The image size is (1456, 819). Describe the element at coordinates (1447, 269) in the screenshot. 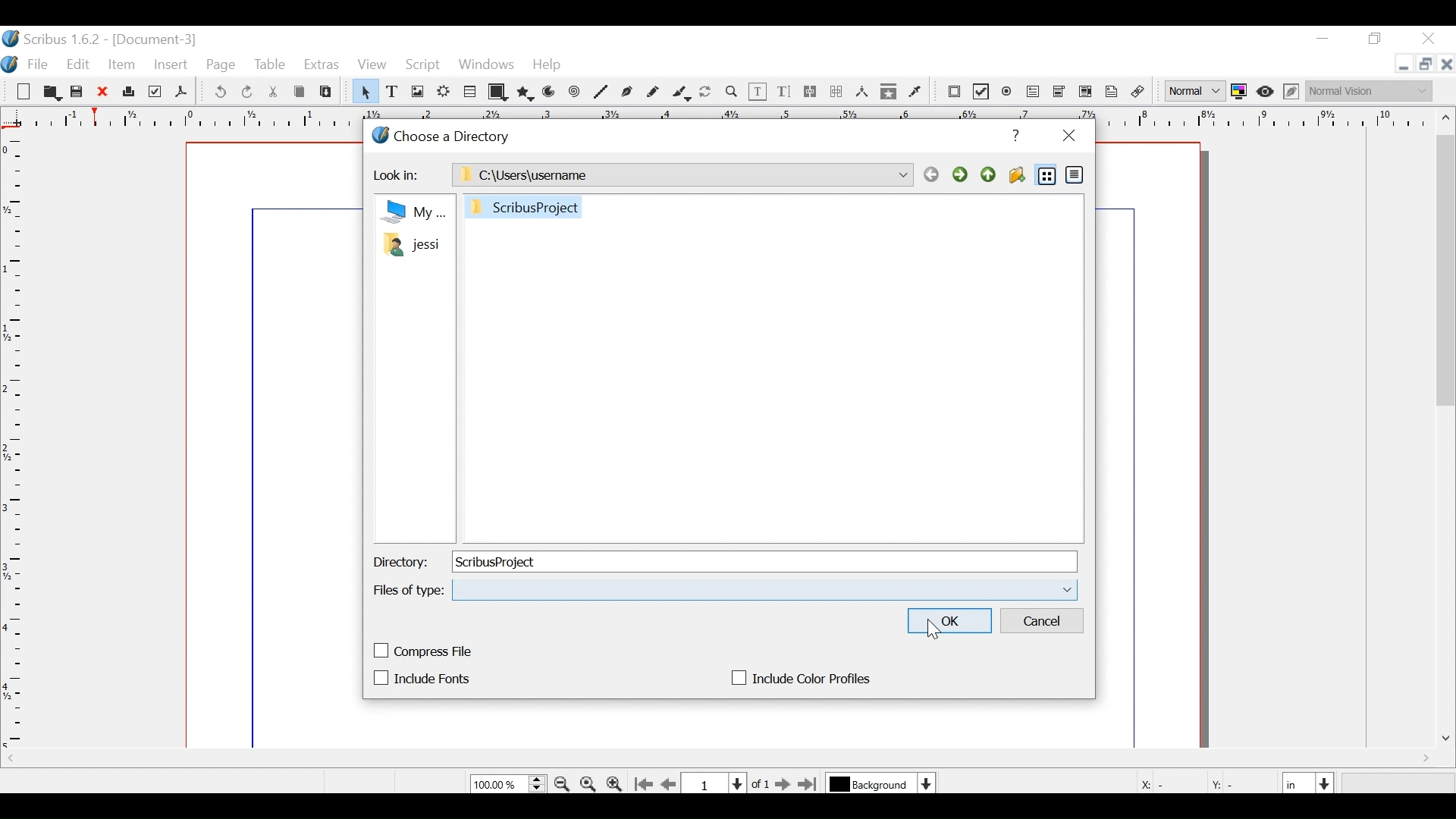

I see `Vertical Scroll bar` at that location.